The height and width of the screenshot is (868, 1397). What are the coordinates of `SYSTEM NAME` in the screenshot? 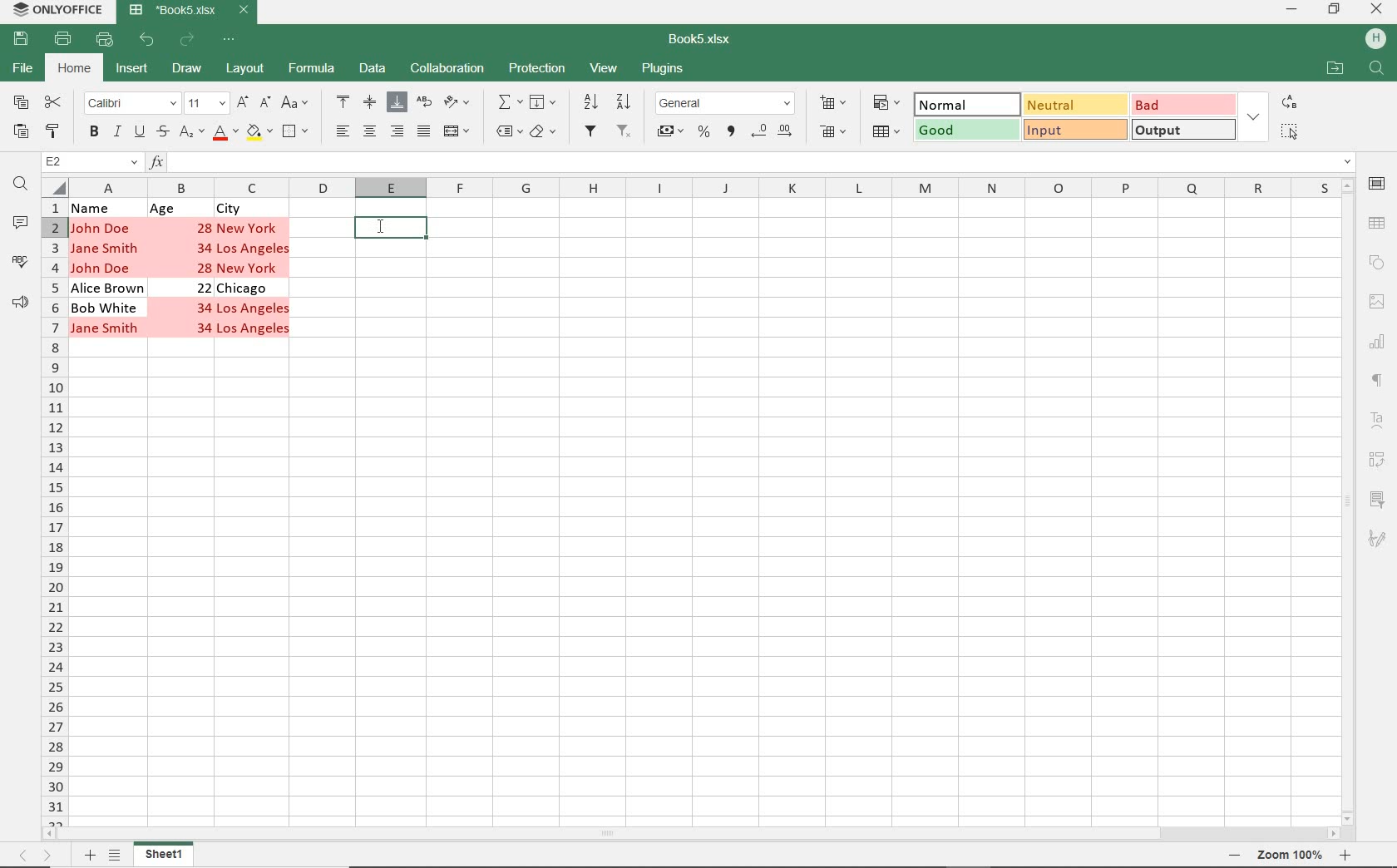 It's located at (56, 9).